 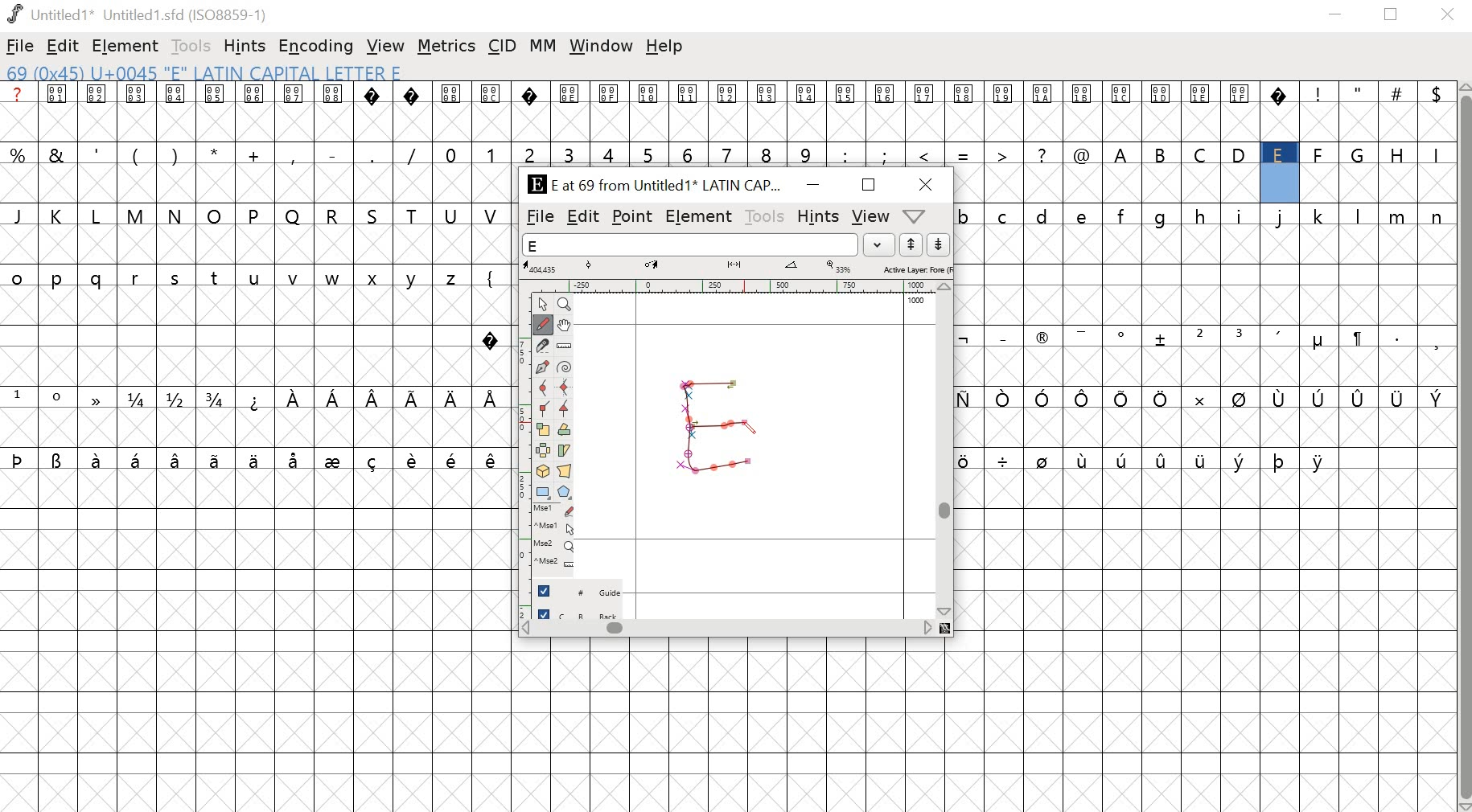 What do you see at coordinates (698, 216) in the screenshot?
I see `element` at bounding box center [698, 216].